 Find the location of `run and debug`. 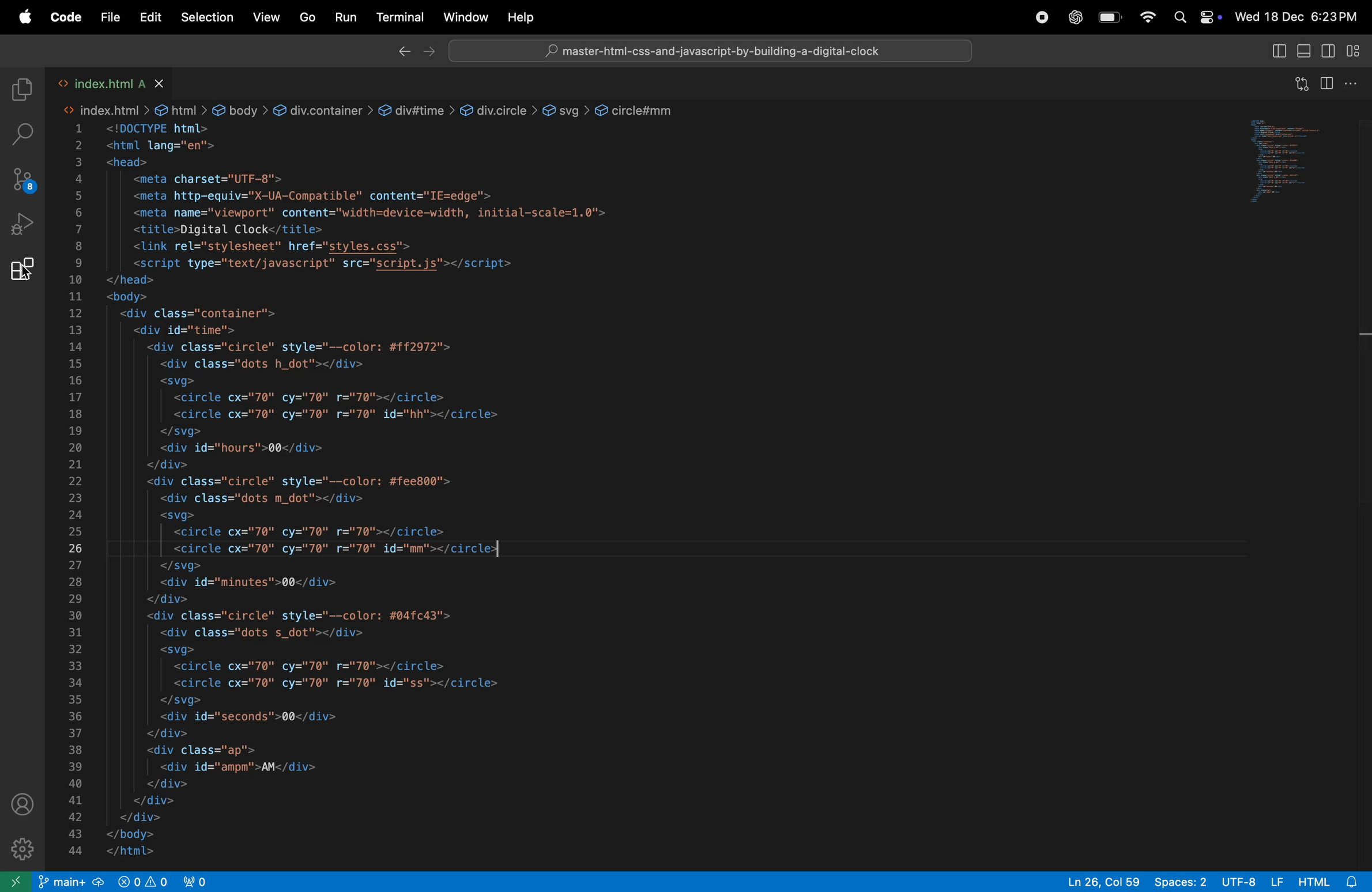

run and debug is located at coordinates (22, 228).